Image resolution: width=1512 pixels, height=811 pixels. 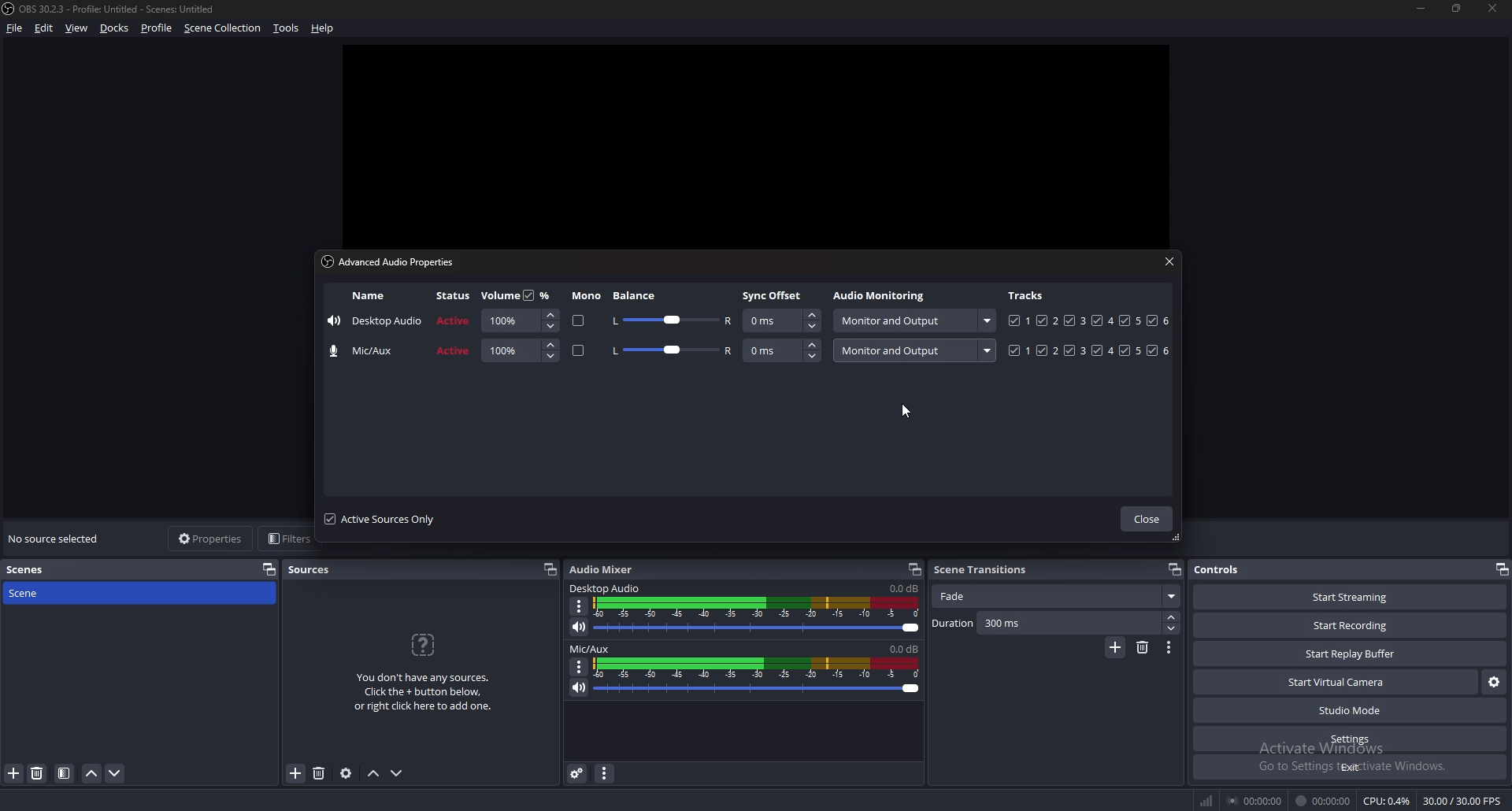 I want to click on pop out, so click(x=1502, y=570).